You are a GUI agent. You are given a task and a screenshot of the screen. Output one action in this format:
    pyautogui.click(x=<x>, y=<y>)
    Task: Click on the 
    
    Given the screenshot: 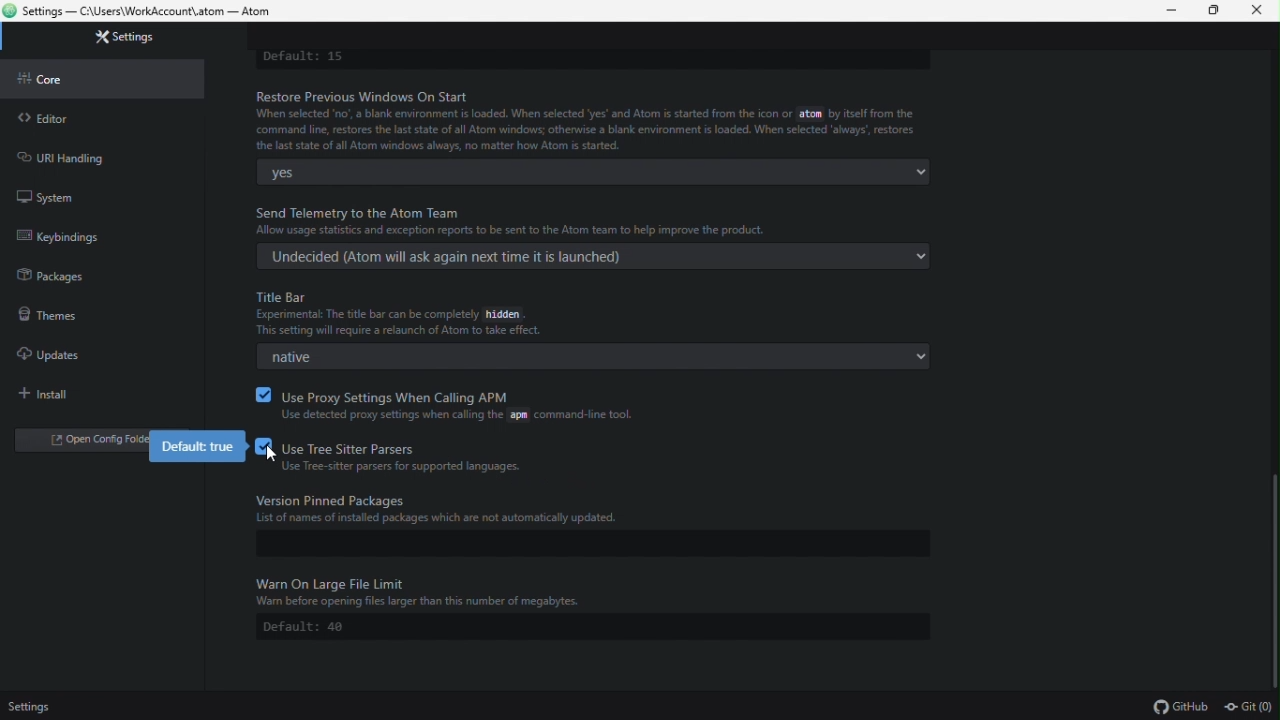 What is the action you would take?
    pyautogui.click(x=591, y=593)
    